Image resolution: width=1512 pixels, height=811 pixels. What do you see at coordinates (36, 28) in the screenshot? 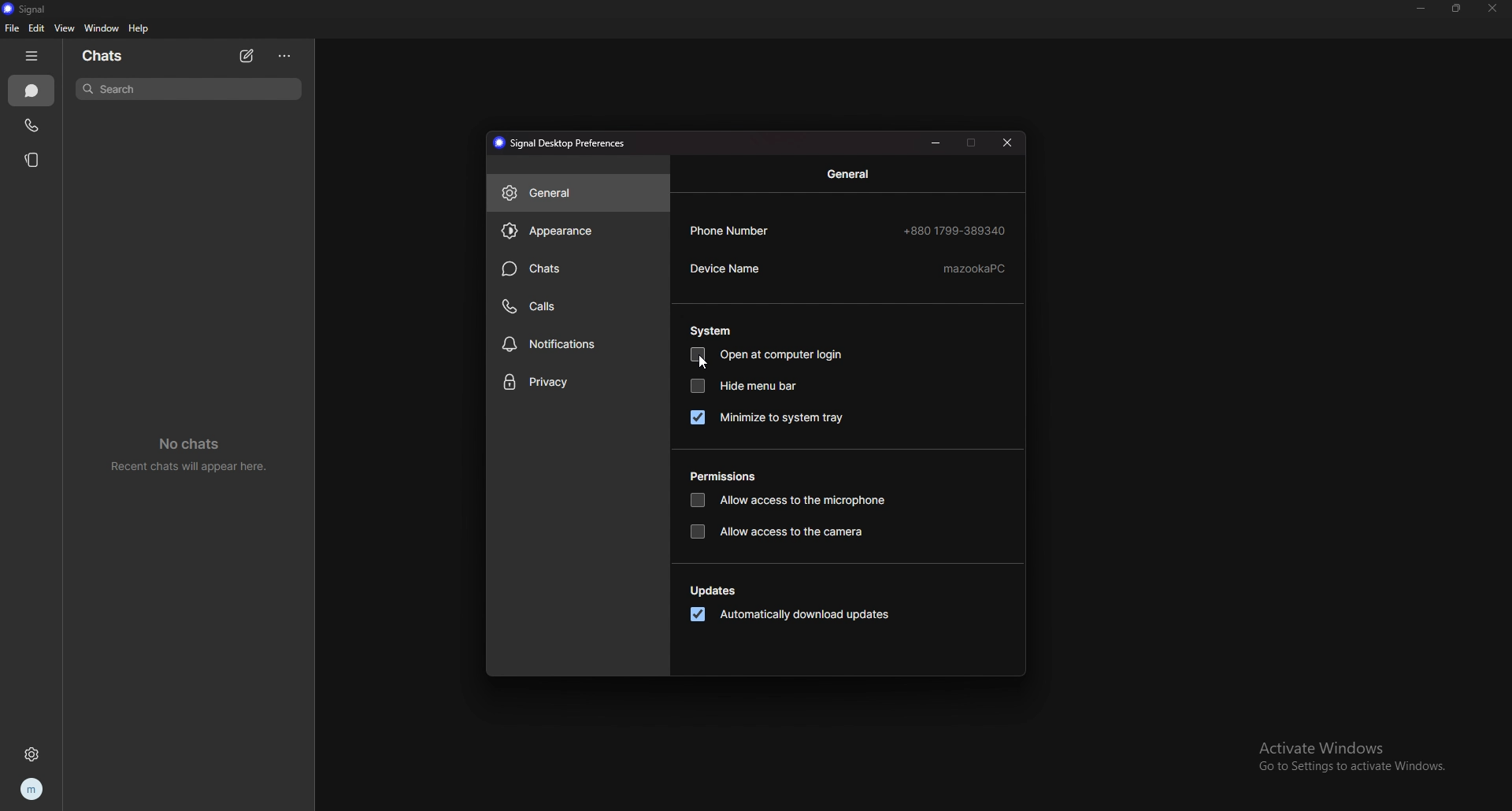
I see `edit` at bounding box center [36, 28].